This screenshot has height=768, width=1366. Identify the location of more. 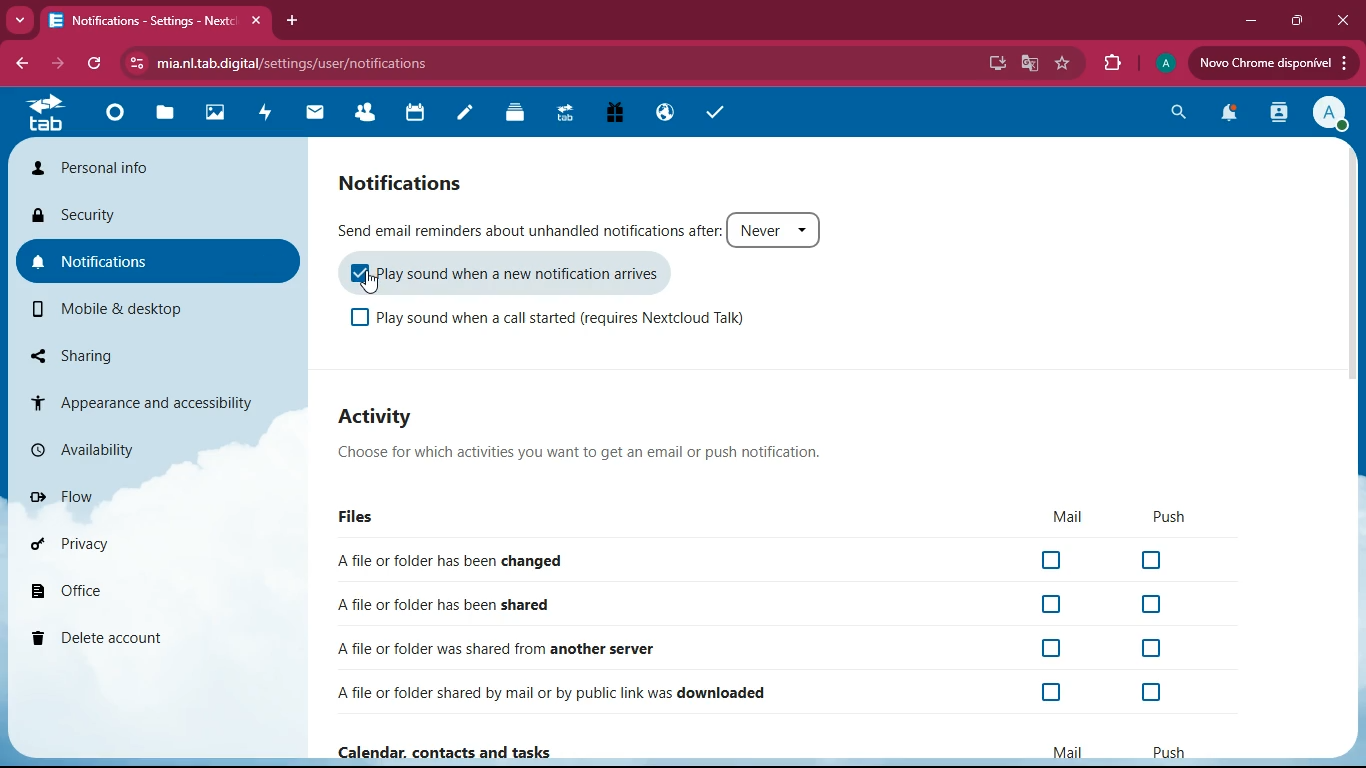
(20, 16).